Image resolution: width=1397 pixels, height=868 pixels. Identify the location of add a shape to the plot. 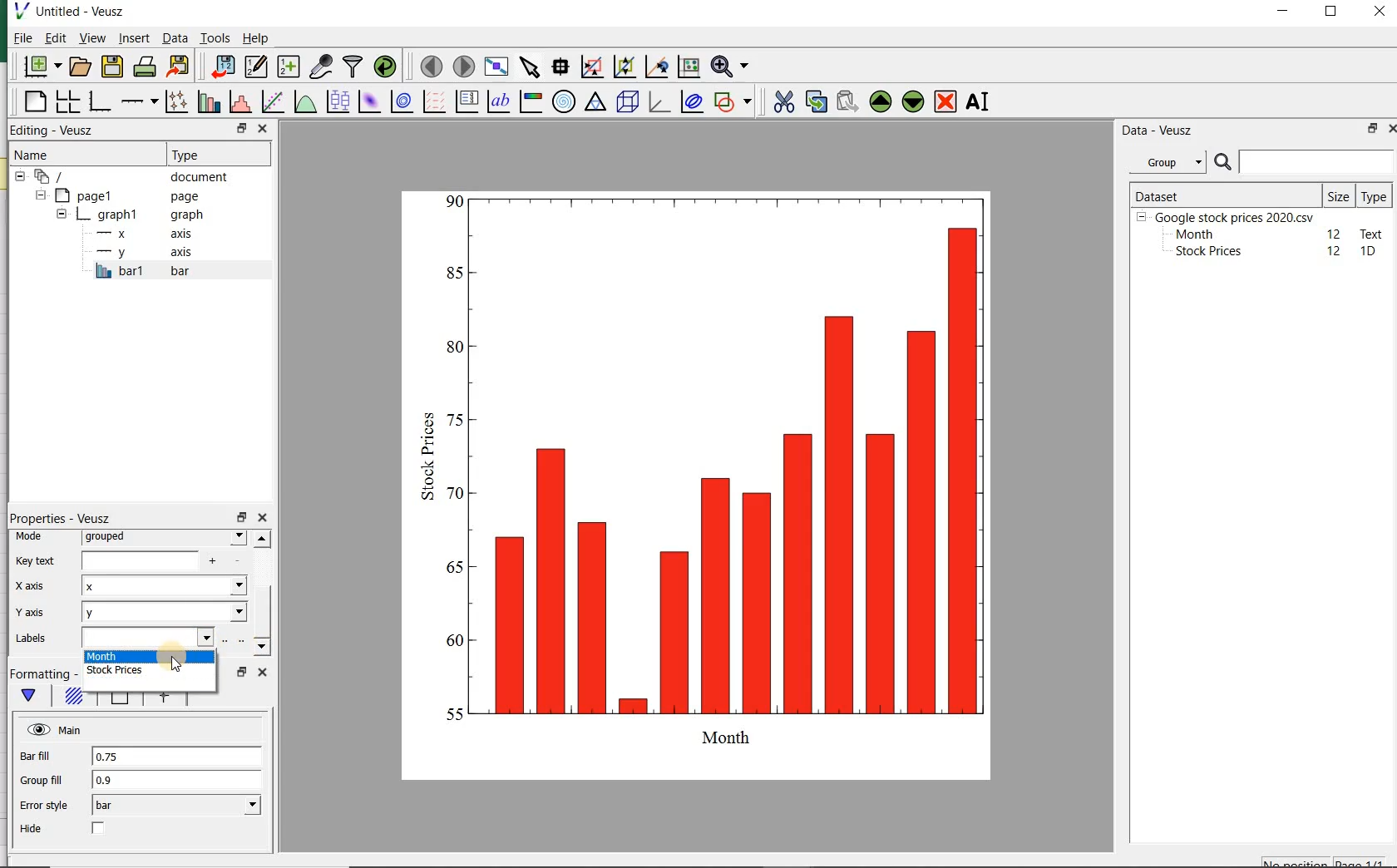
(733, 102).